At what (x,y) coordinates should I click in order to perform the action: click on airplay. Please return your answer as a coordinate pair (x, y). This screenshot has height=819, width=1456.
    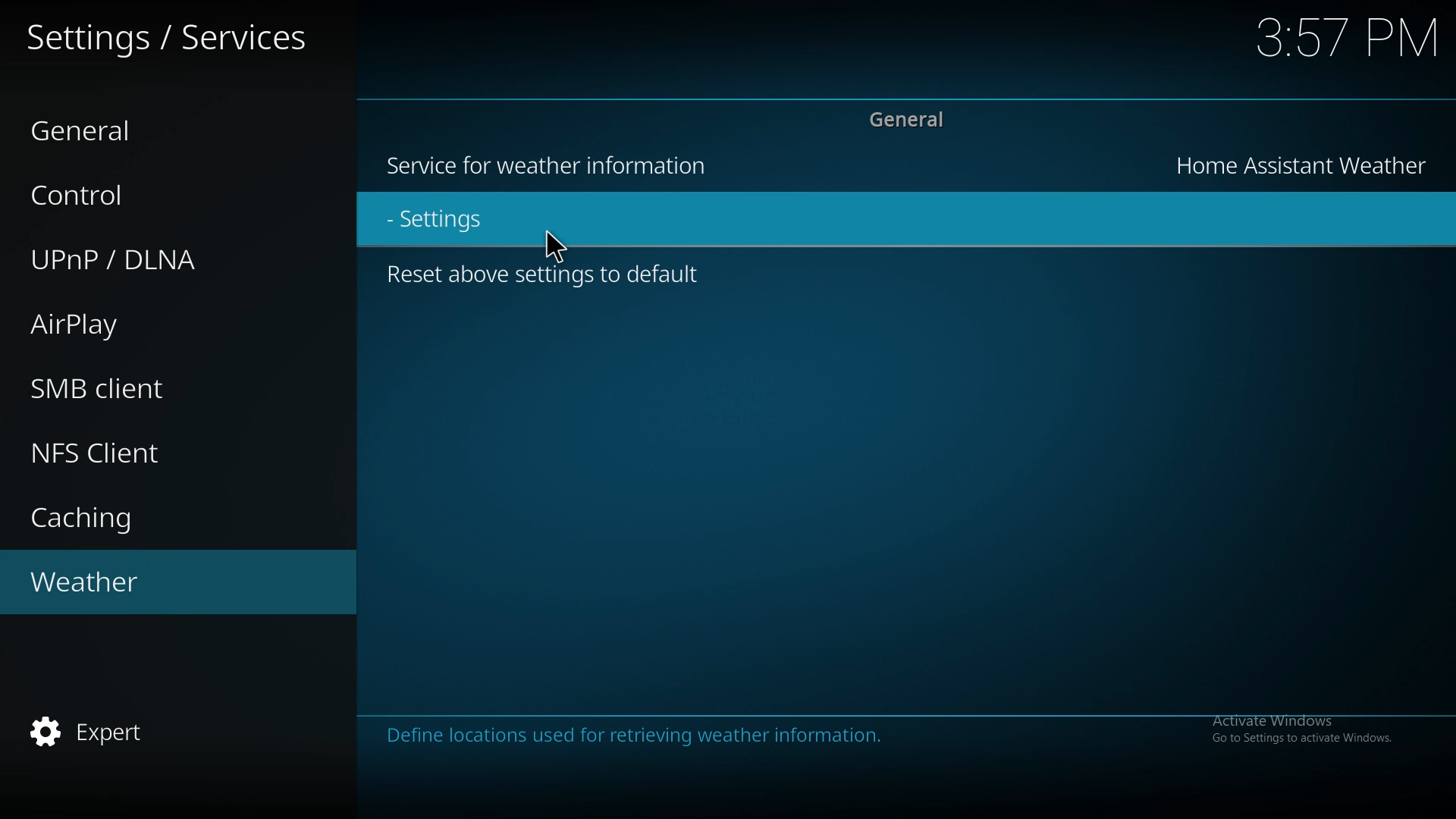
    Looking at the image, I should click on (147, 325).